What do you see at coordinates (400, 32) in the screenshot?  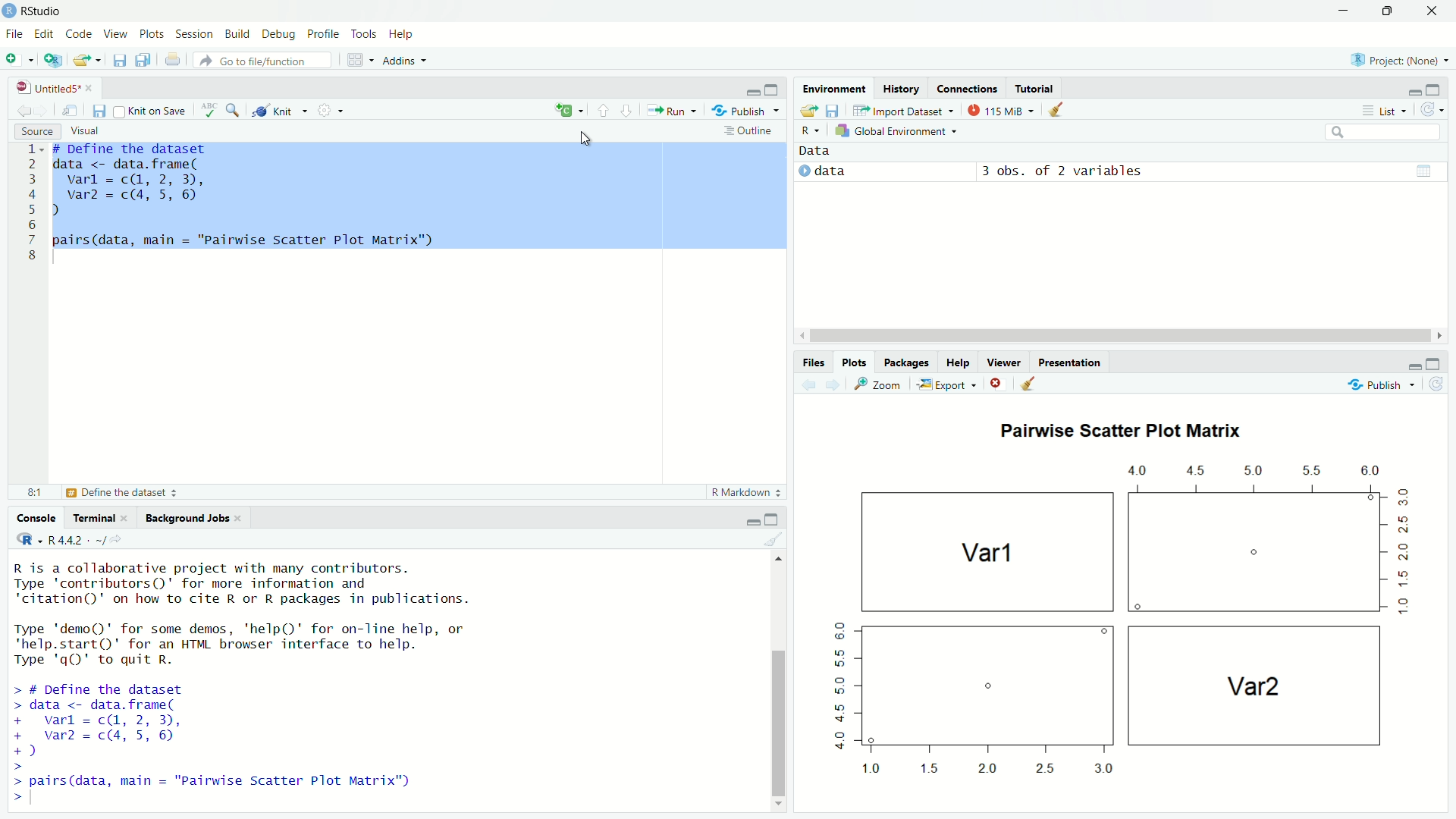 I see `Help` at bounding box center [400, 32].